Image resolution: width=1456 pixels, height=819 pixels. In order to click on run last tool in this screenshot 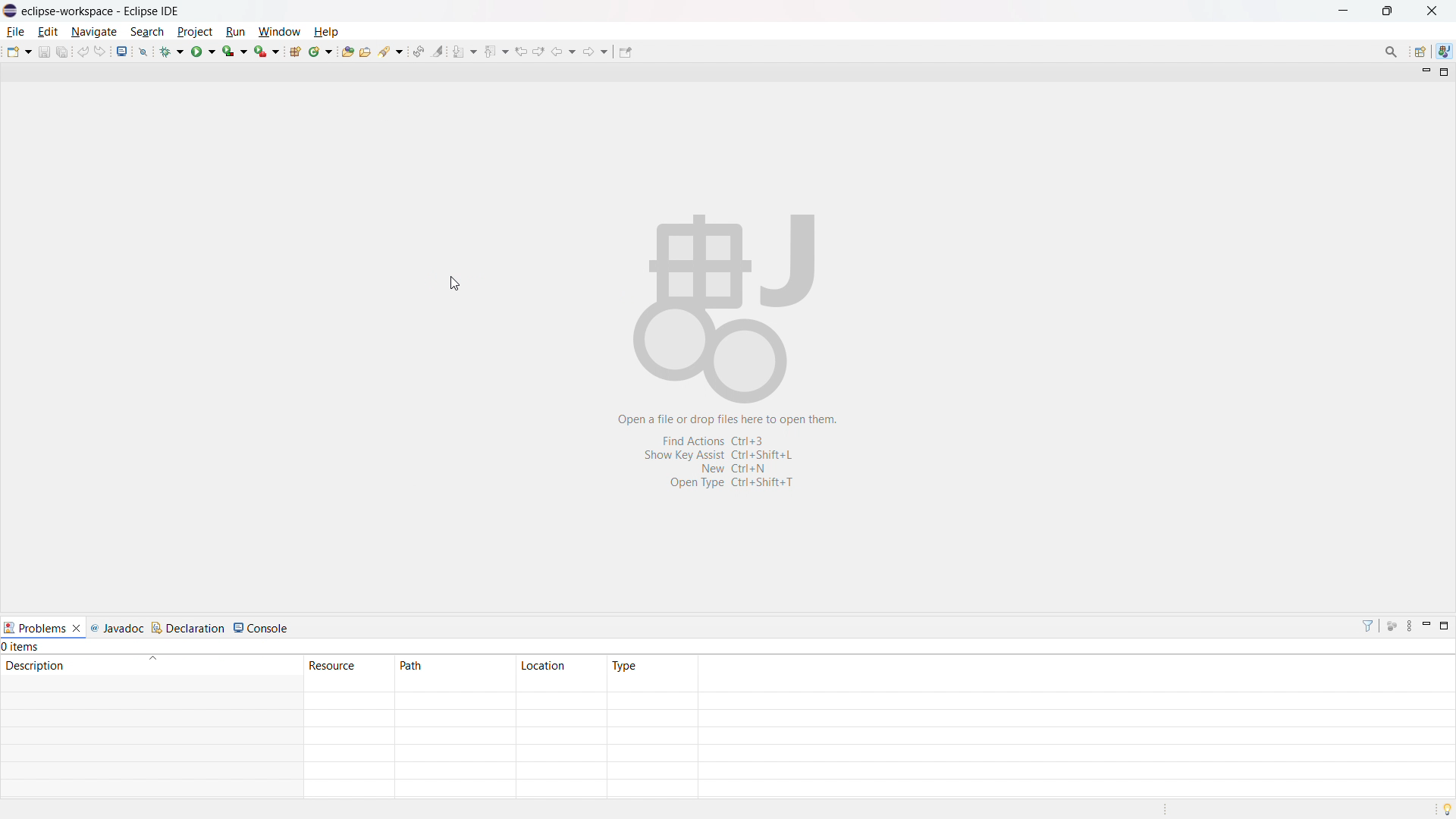, I will do `click(266, 51)`.